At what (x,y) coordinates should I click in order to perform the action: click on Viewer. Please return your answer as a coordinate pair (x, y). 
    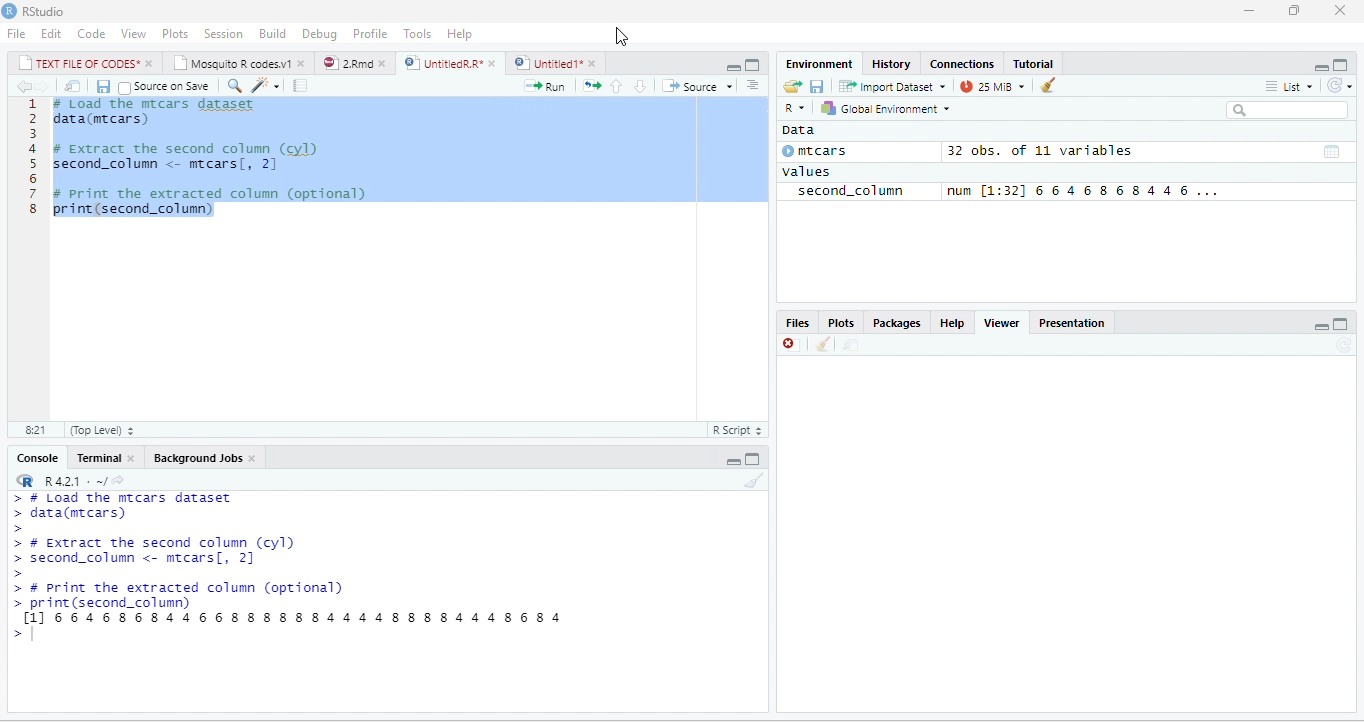
    Looking at the image, I should click on (1007, 323).